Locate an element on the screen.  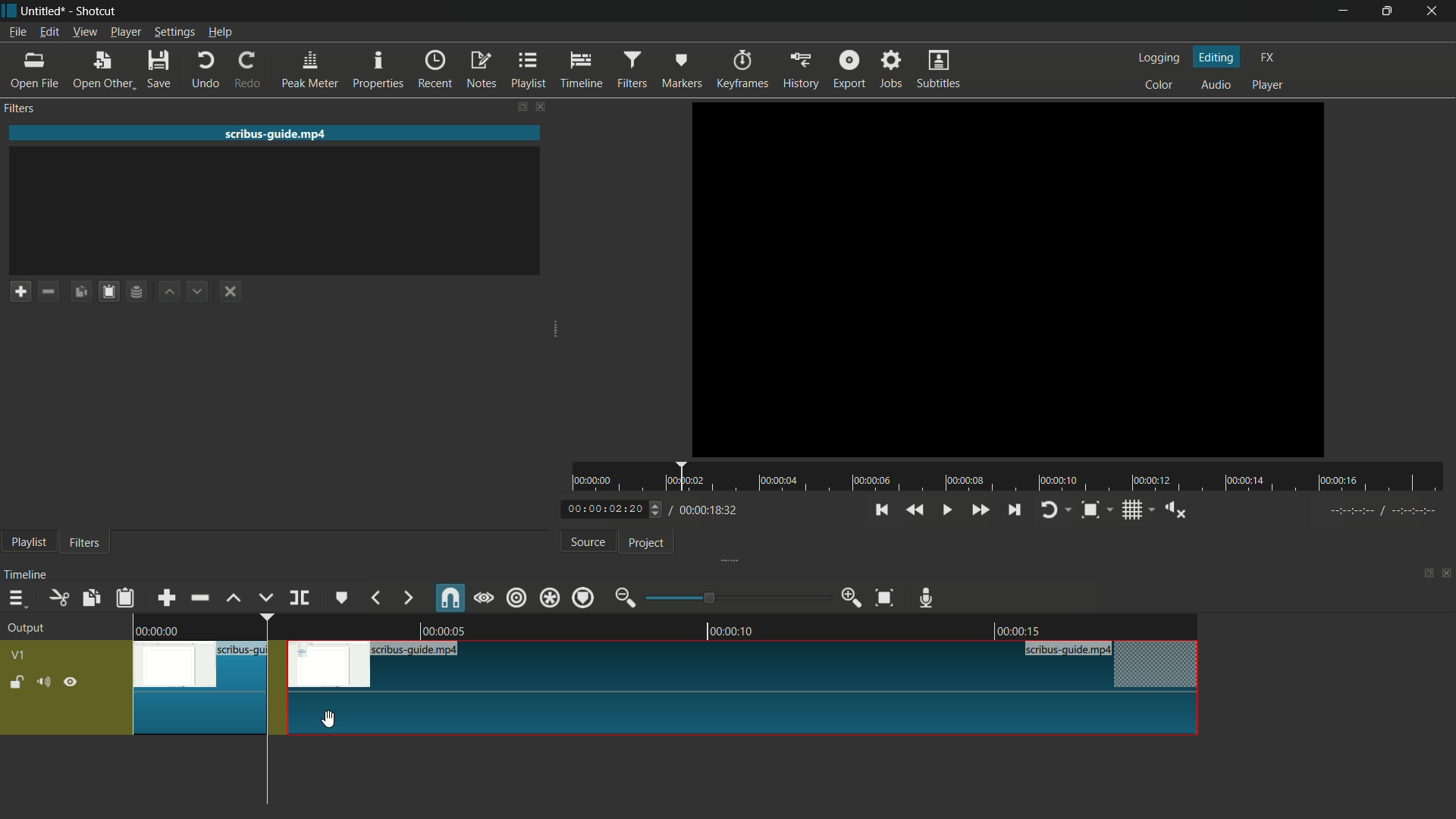
help menu is located at coordinates (221, 33).